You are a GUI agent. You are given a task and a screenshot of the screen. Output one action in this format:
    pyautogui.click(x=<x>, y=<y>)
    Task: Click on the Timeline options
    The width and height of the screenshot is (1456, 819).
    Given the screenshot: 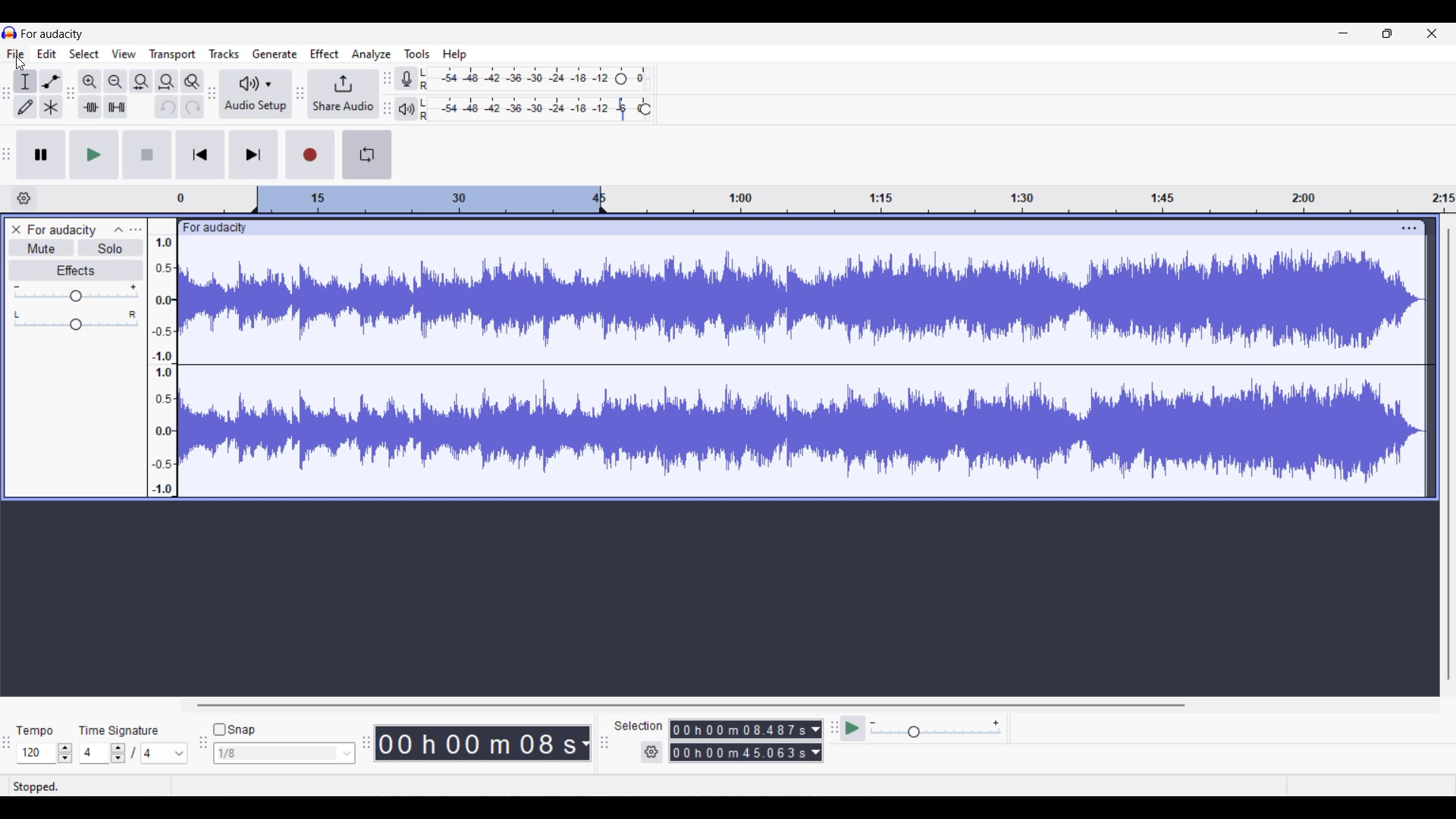 What is the action you would take?
    pyautogui.click(x=24, y=199)
    